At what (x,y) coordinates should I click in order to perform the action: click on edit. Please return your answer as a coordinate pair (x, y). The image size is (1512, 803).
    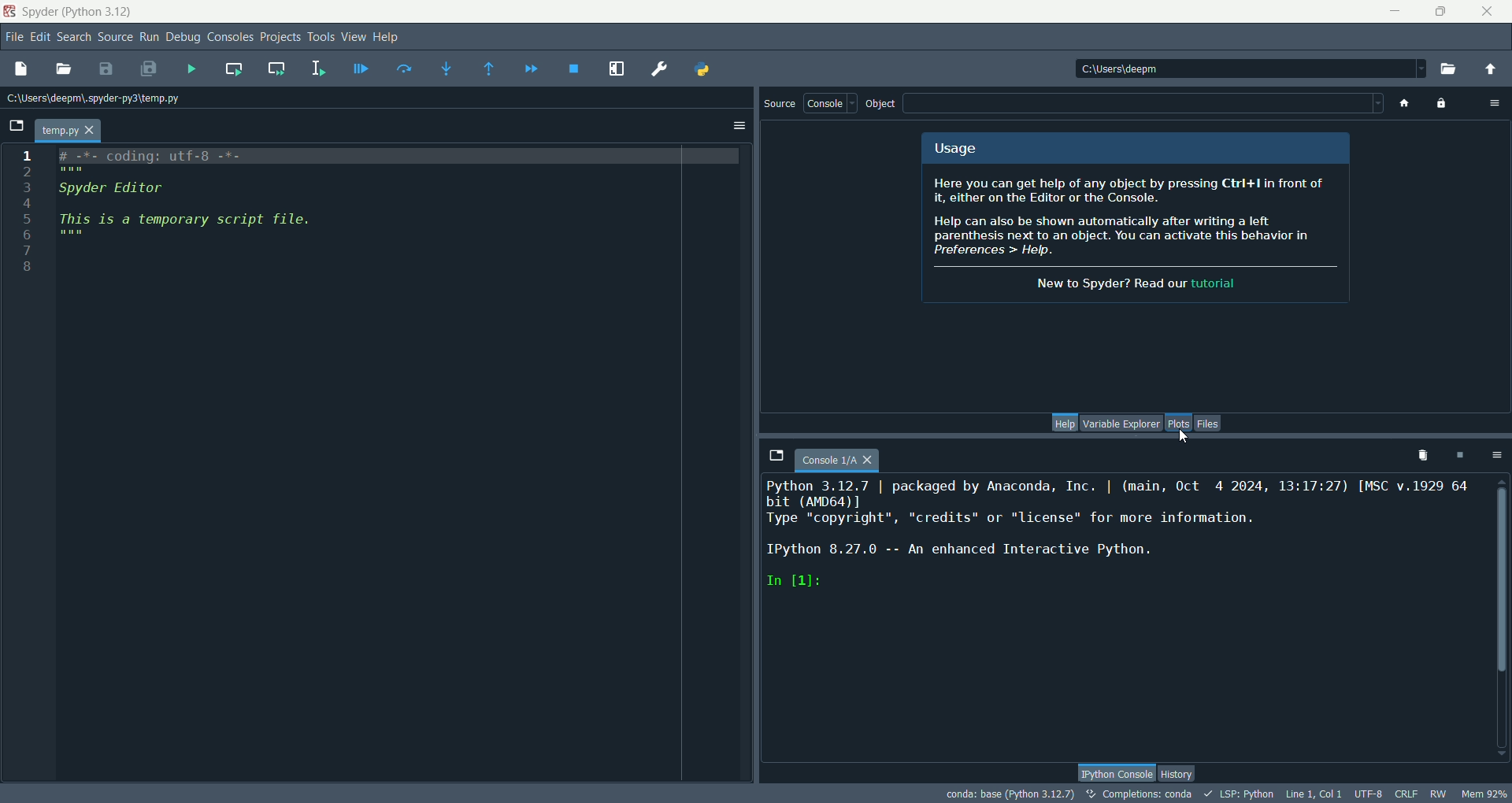
    Looking at the image, I should click on (41, 38).